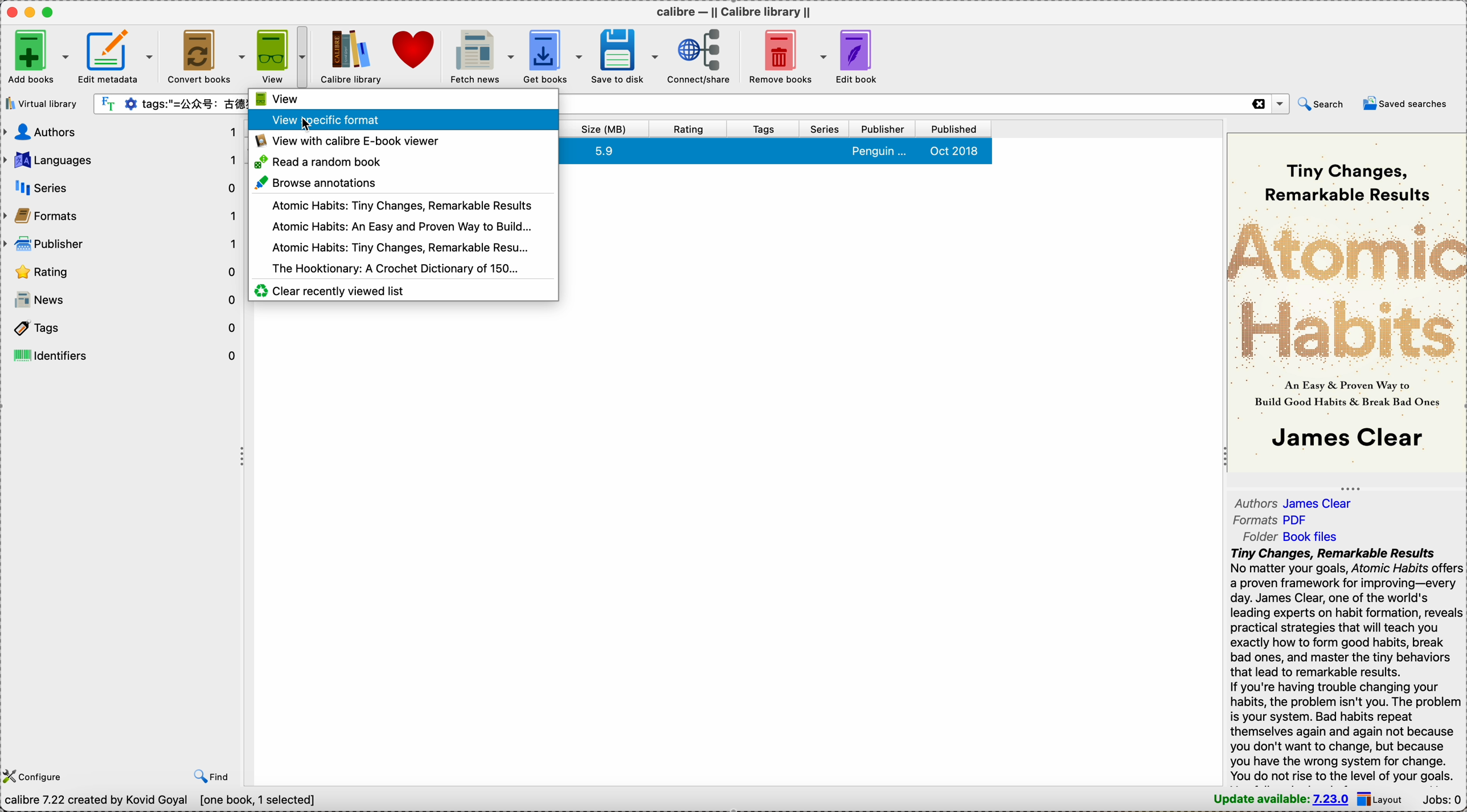  Describe the element at coordinates (319, 161) in the screenshot. I see `read a random book` at that location.